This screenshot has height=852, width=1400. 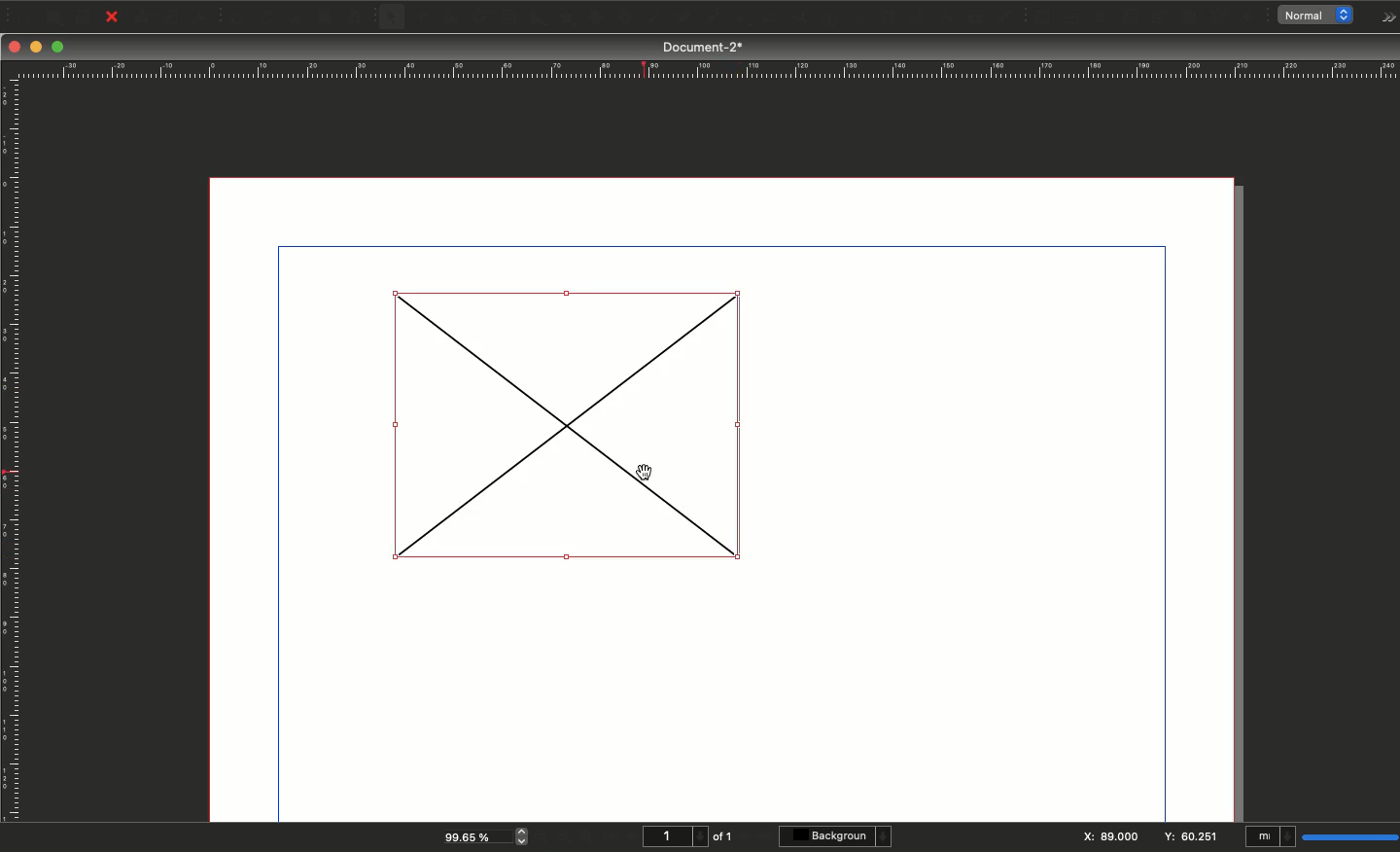 What do you see at coordinates (941, 18) in the screenshot?
I see `Measurements` at bounding box center [941, 18].